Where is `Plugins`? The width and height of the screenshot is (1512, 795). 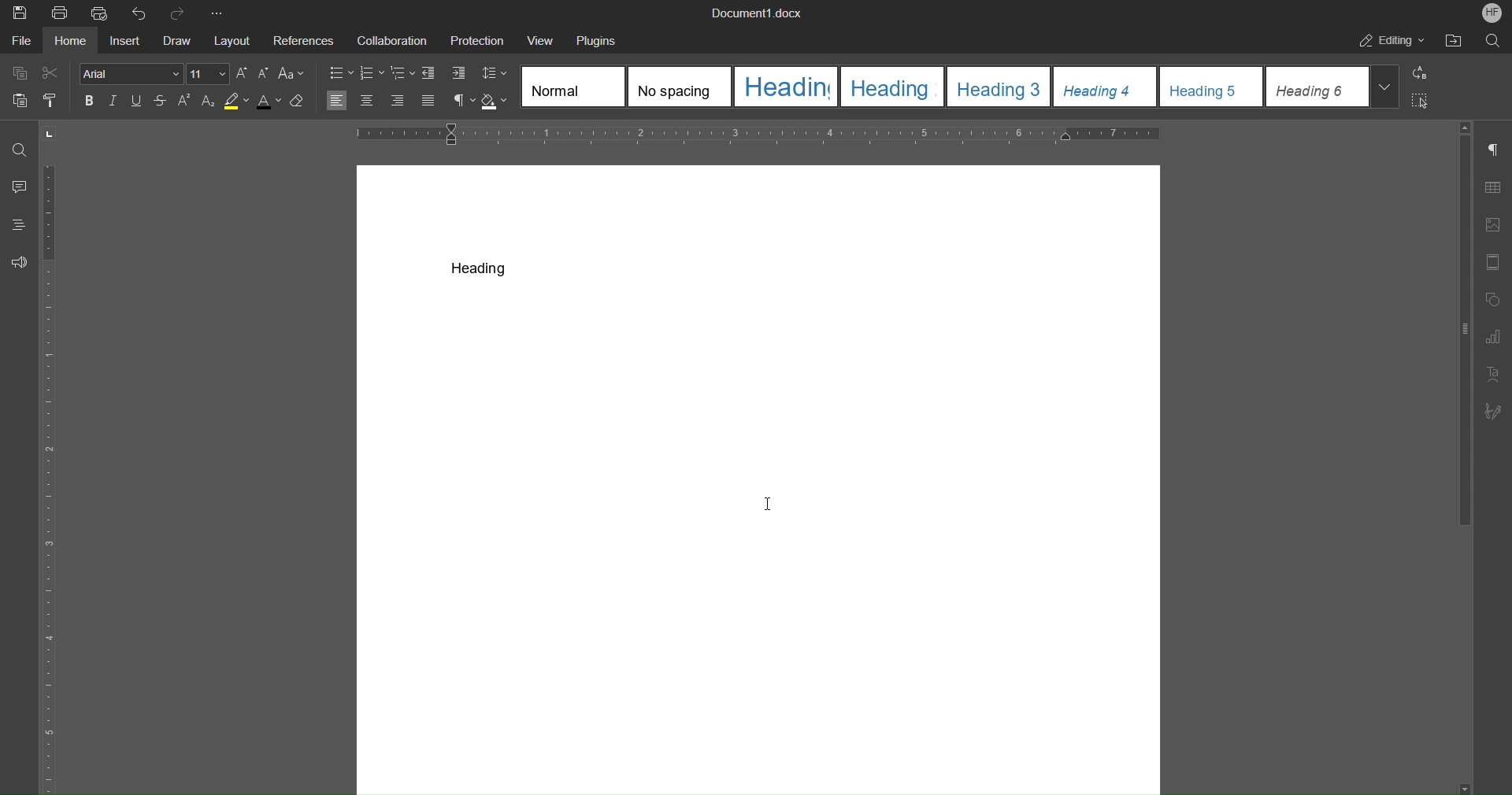
Plugins is located at coordinates (598, 39).